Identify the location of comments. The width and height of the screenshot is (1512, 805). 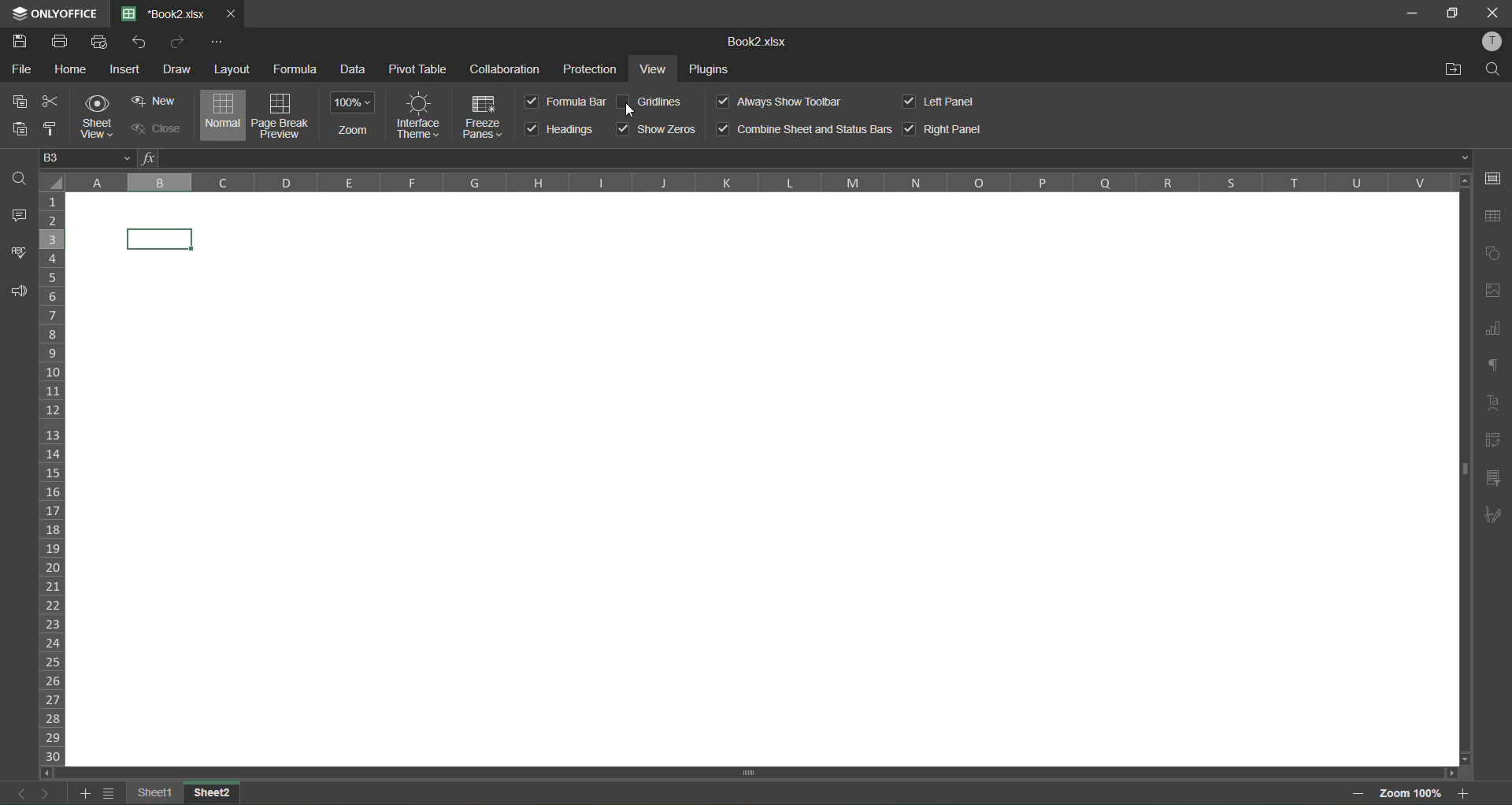
(23, 217).